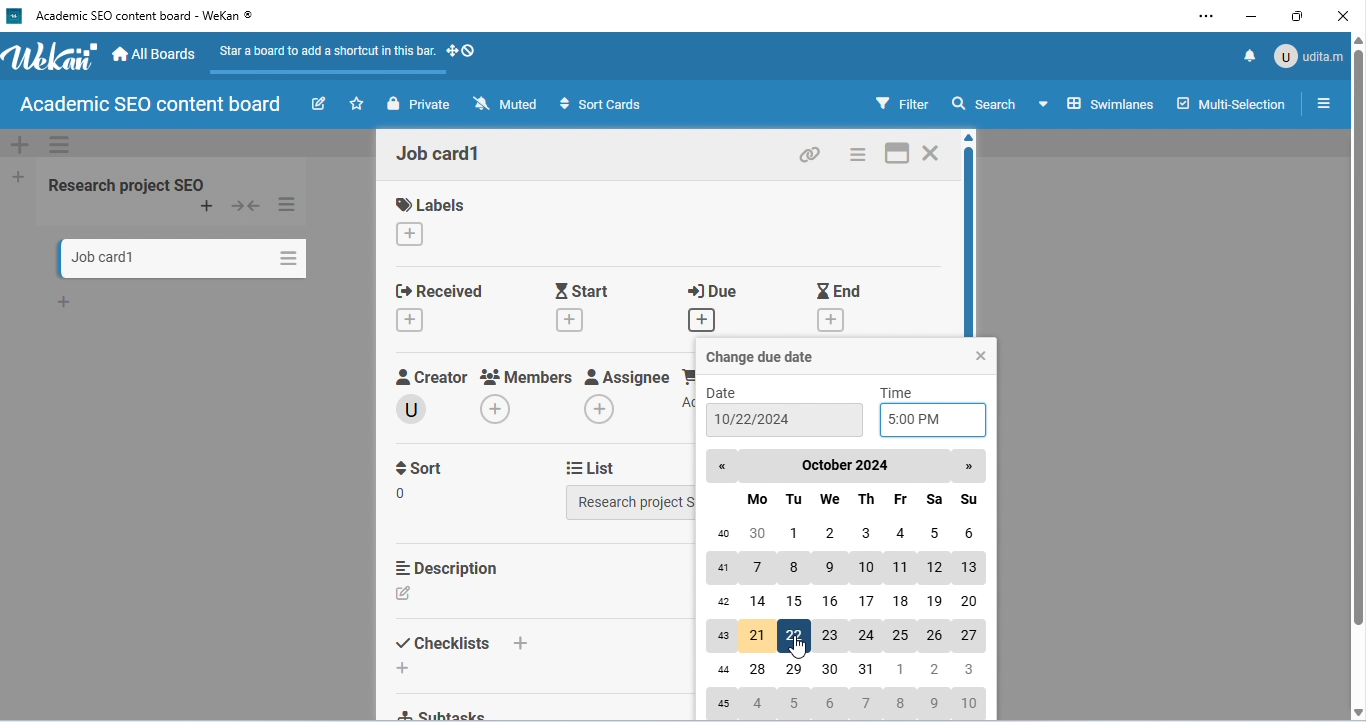  I want to click on add list, so click(20, 178).